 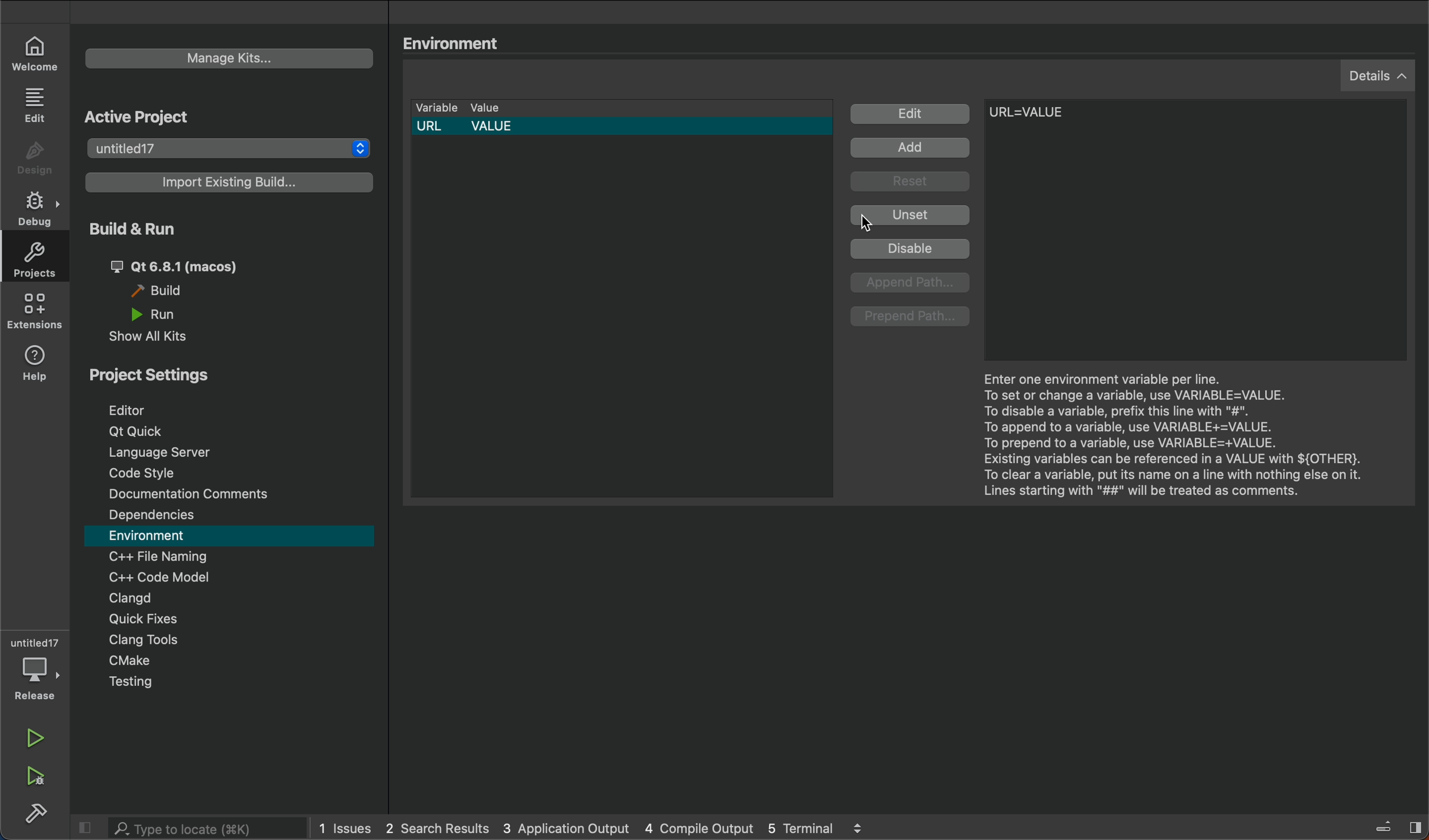 I want to click on qt 6.8.1 (macos), so click(x=173, y=266).